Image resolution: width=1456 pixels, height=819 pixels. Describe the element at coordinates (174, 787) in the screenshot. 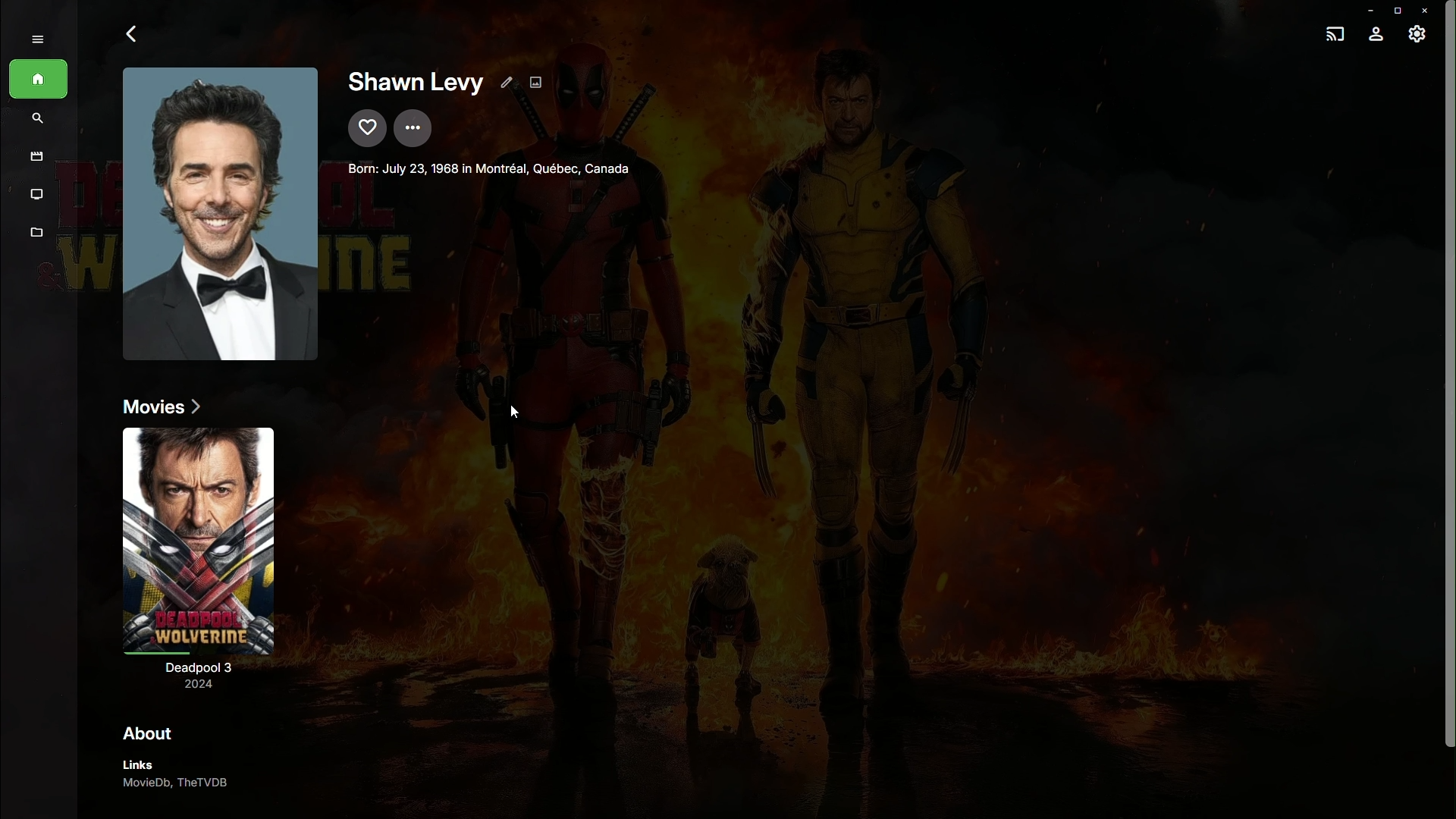

I see `MovieDB, TheTVDB` at that location.